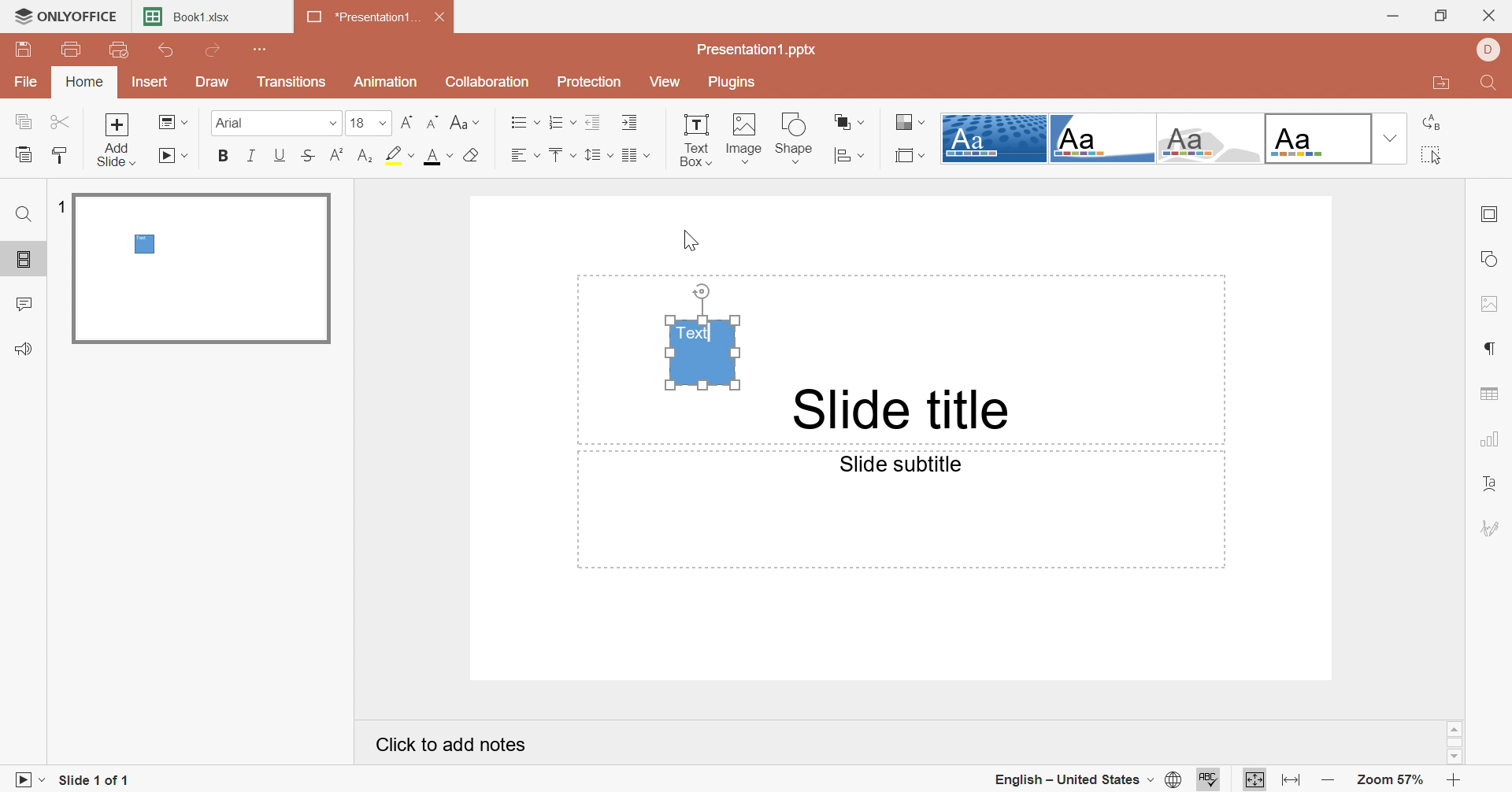 The height and width of the screenshot is (792, 1512). I want to click on Italic, so click(250, 157).